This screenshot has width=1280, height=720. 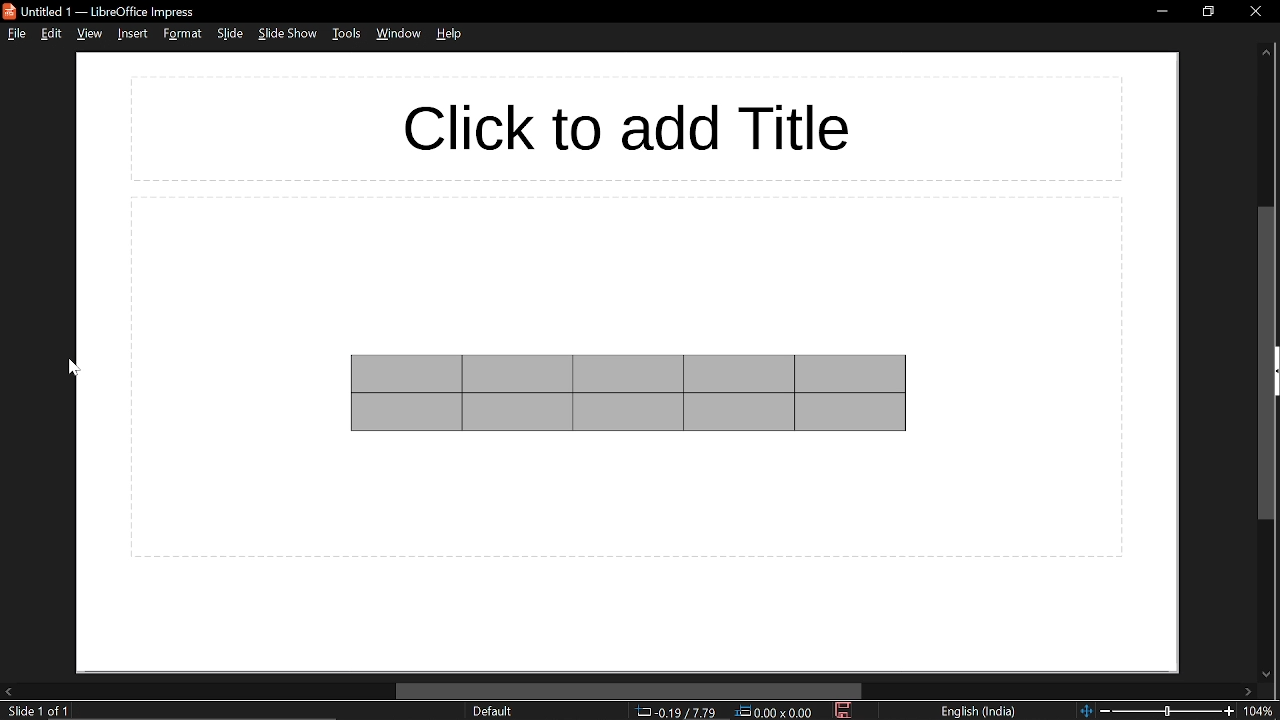 I want to click on help, so click(x=451, y=34).